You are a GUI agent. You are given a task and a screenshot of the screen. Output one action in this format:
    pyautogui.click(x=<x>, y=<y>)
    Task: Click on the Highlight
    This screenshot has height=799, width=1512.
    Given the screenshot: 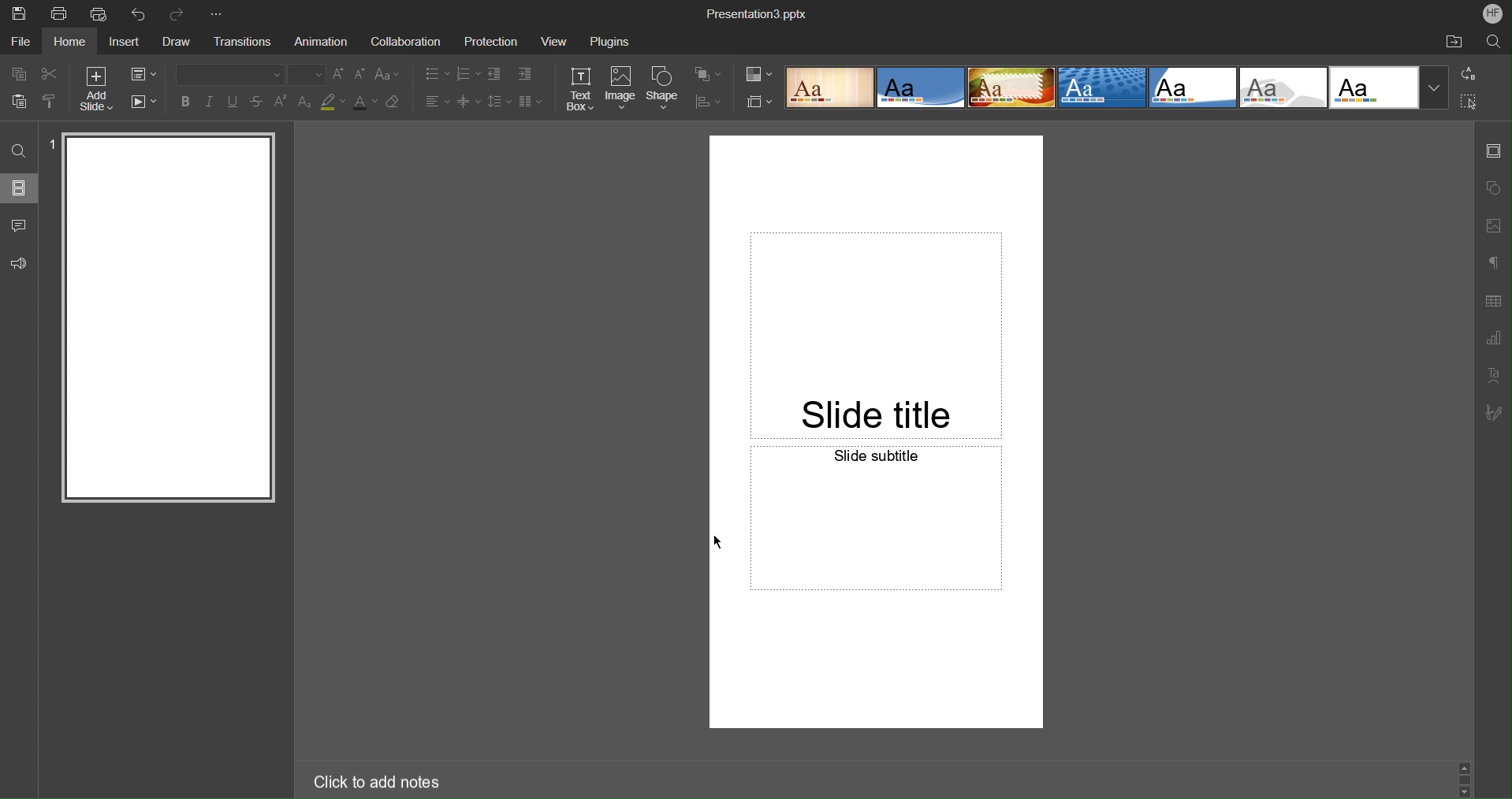 What is the action you would take?
    pyautogui.click(x=333, y=103)
    